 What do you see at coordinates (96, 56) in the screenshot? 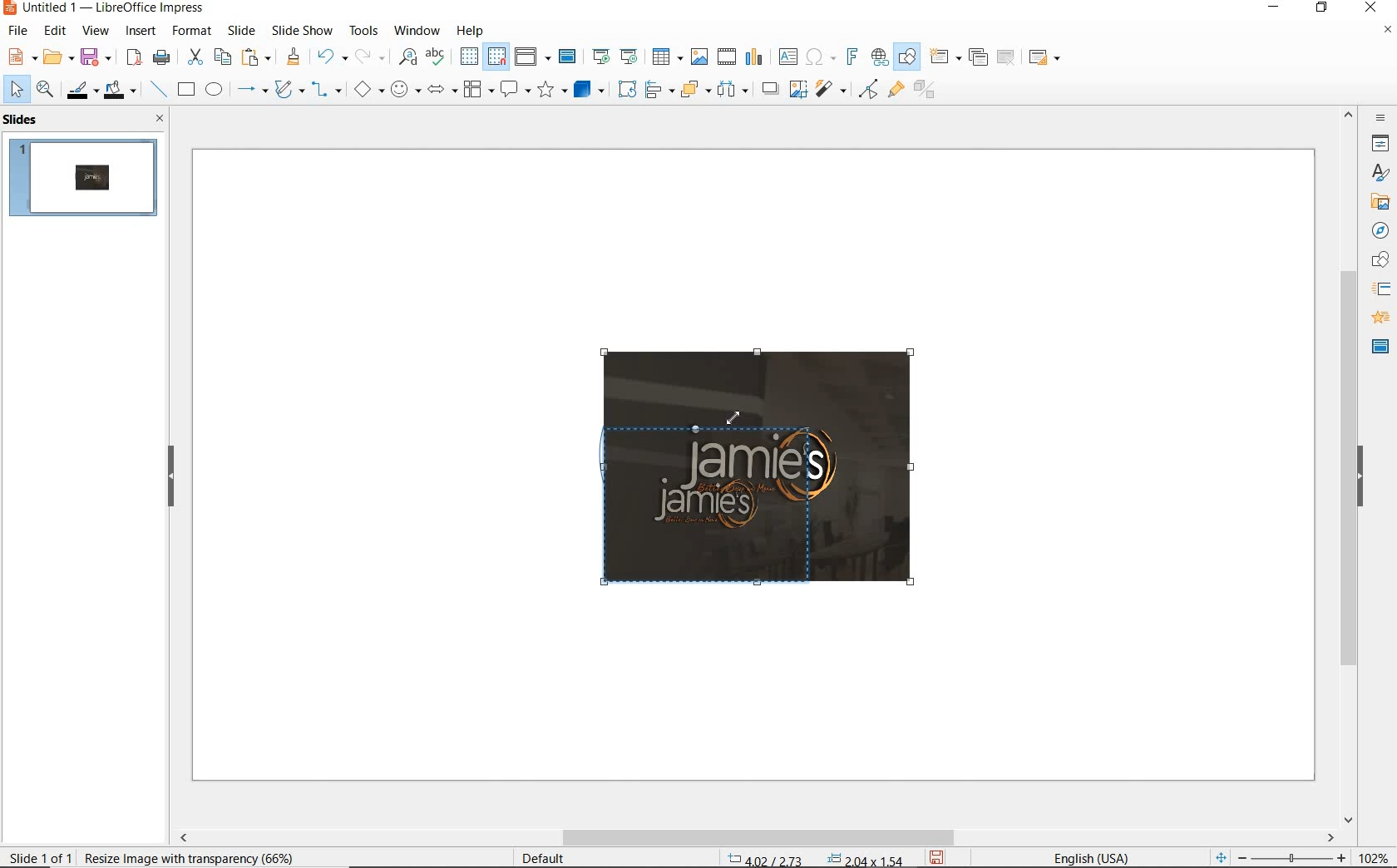
I see `save` at bounding box center [96, 56].